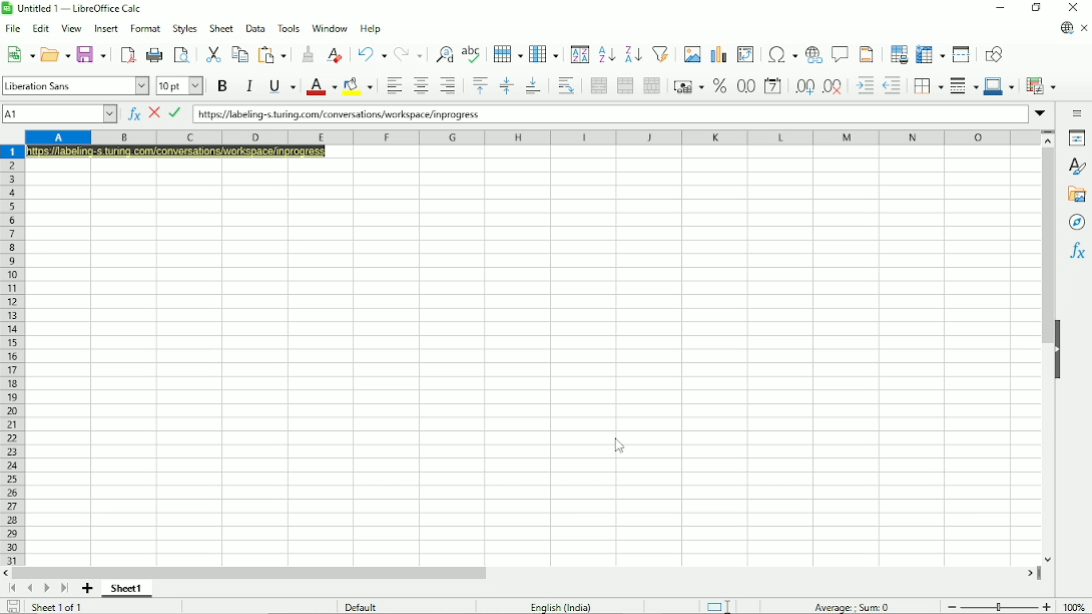  Describe the element at coordinates (564, 86) in the screenshot. I see `Wrap text` at that location.